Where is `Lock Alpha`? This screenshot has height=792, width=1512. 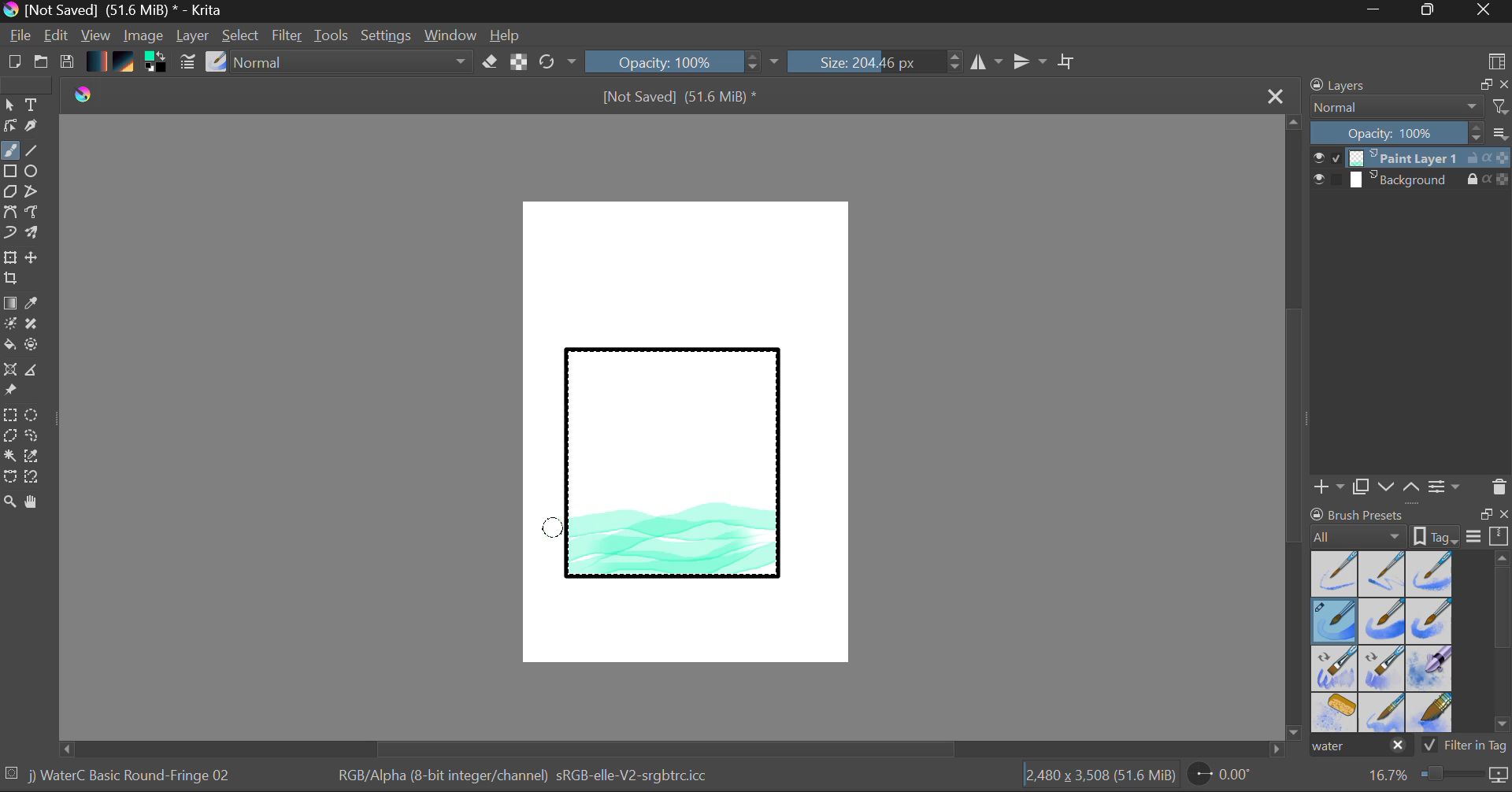 Lock Alpha is located at coordinates (517, 63).